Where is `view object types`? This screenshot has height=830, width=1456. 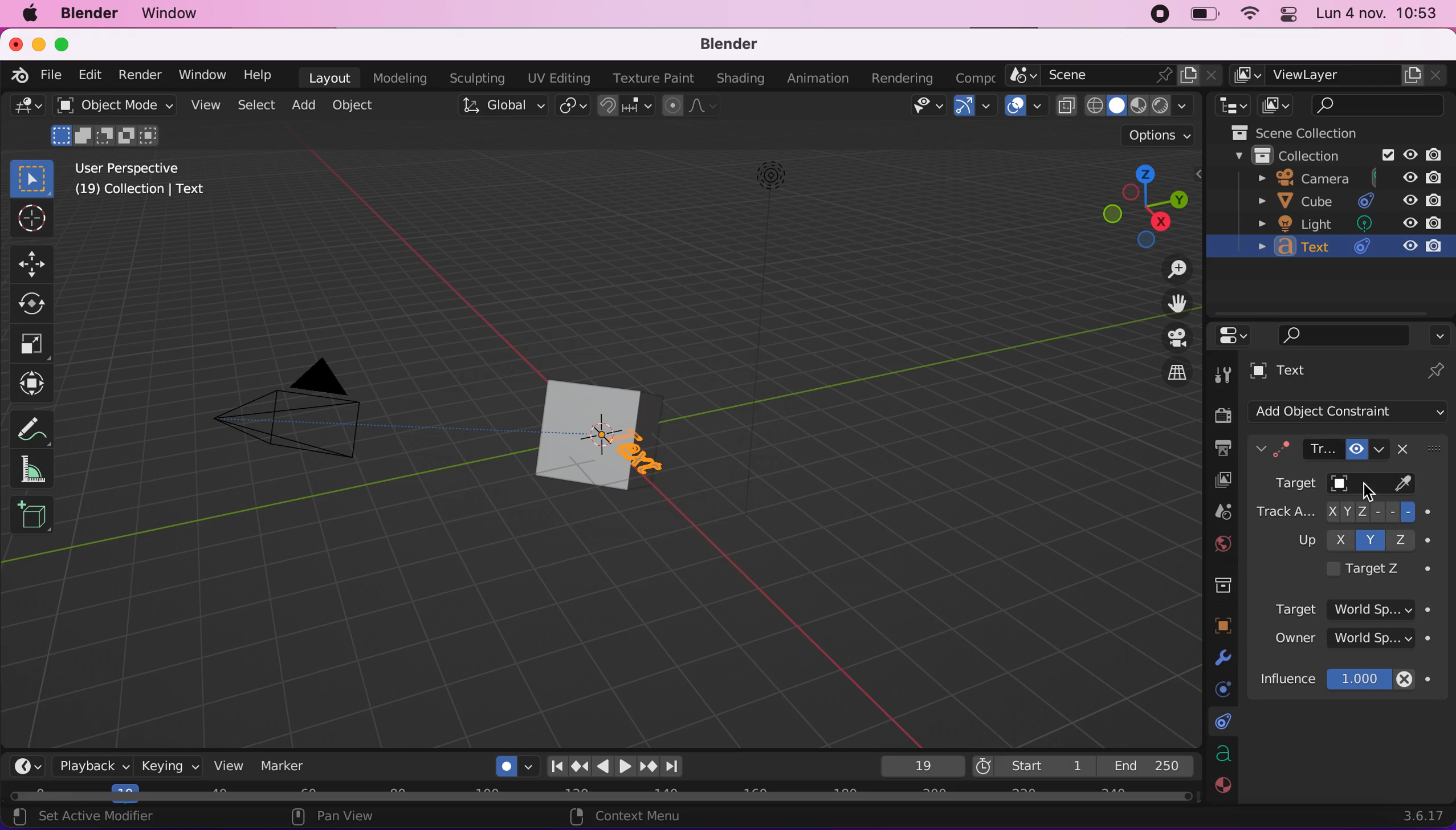 view object types is located at coordinates (922, 107).